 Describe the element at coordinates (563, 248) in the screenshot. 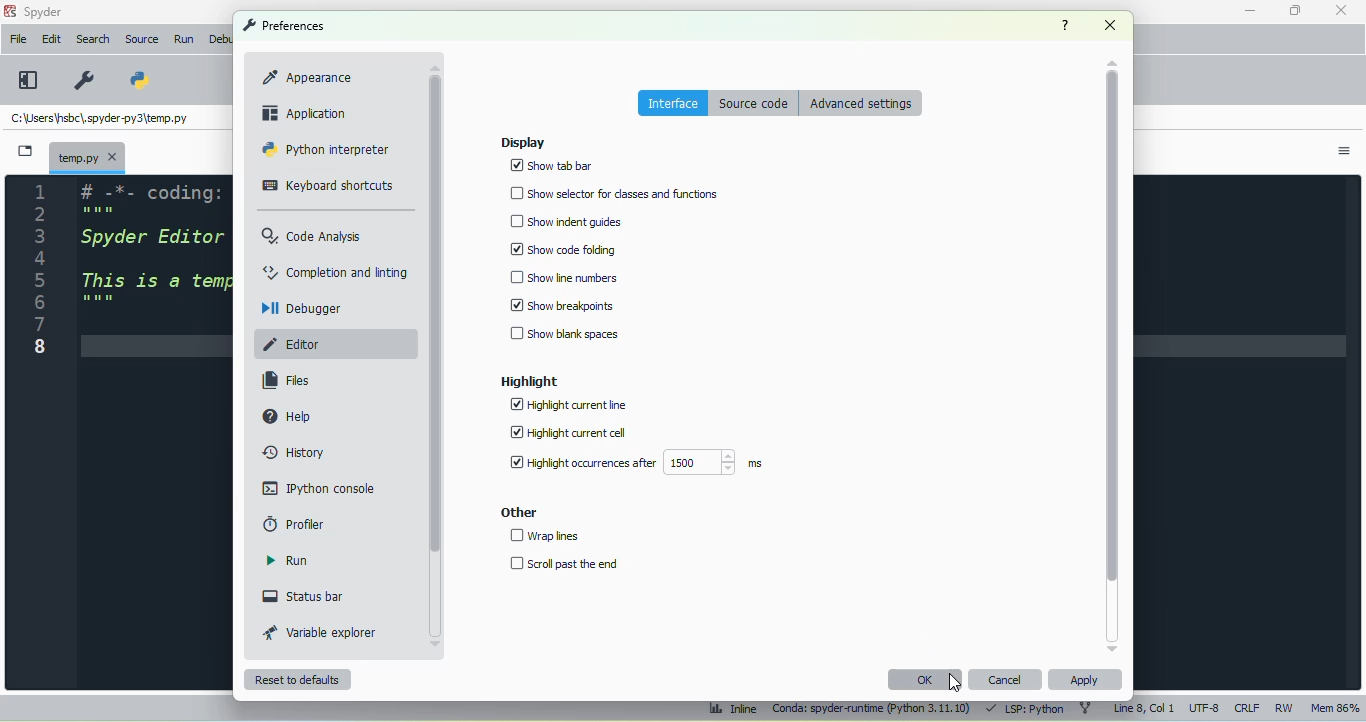

I see `show code folding` at that location.